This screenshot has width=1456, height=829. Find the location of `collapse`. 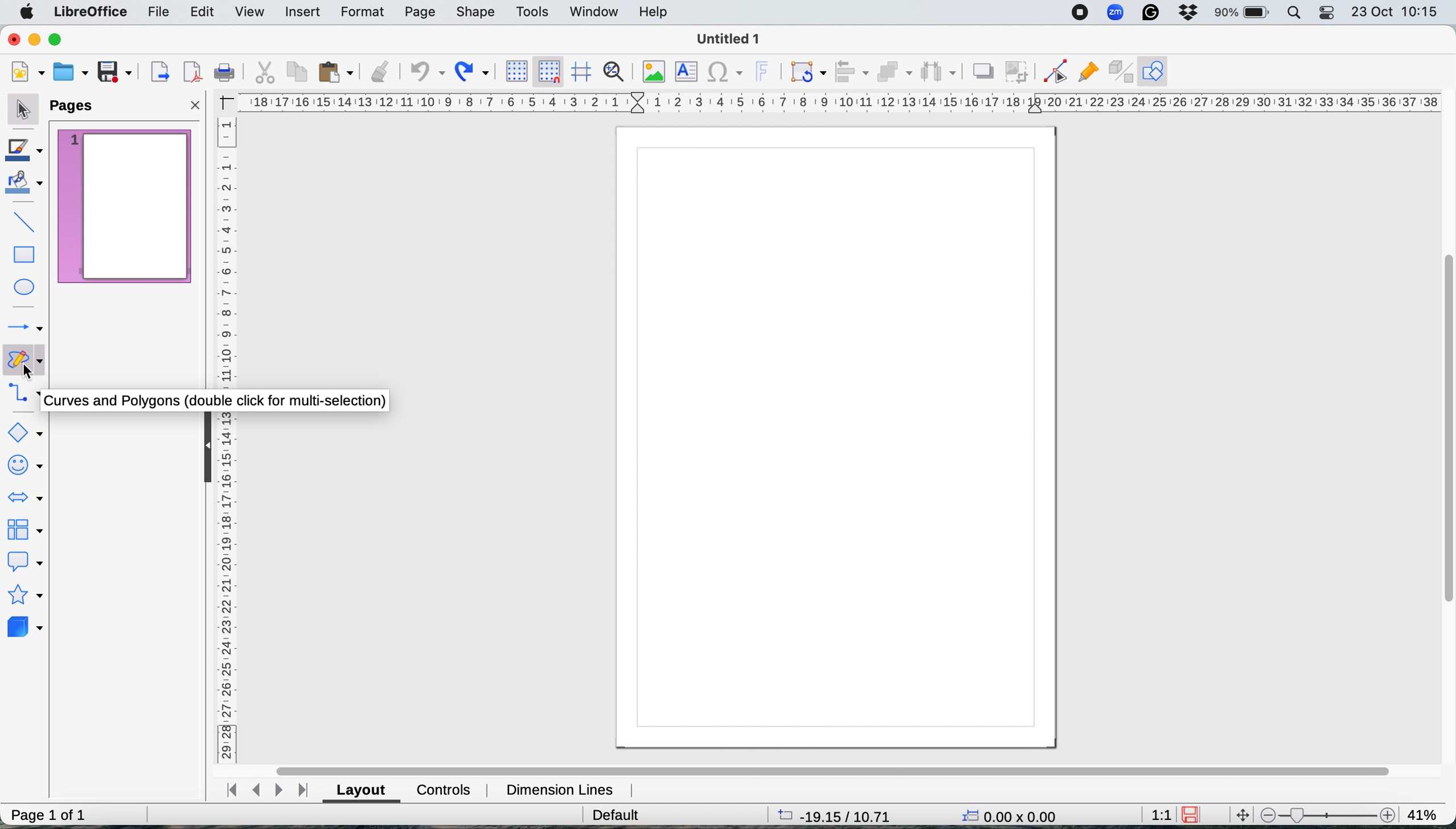

collapse is located at coordinates (202, 454).